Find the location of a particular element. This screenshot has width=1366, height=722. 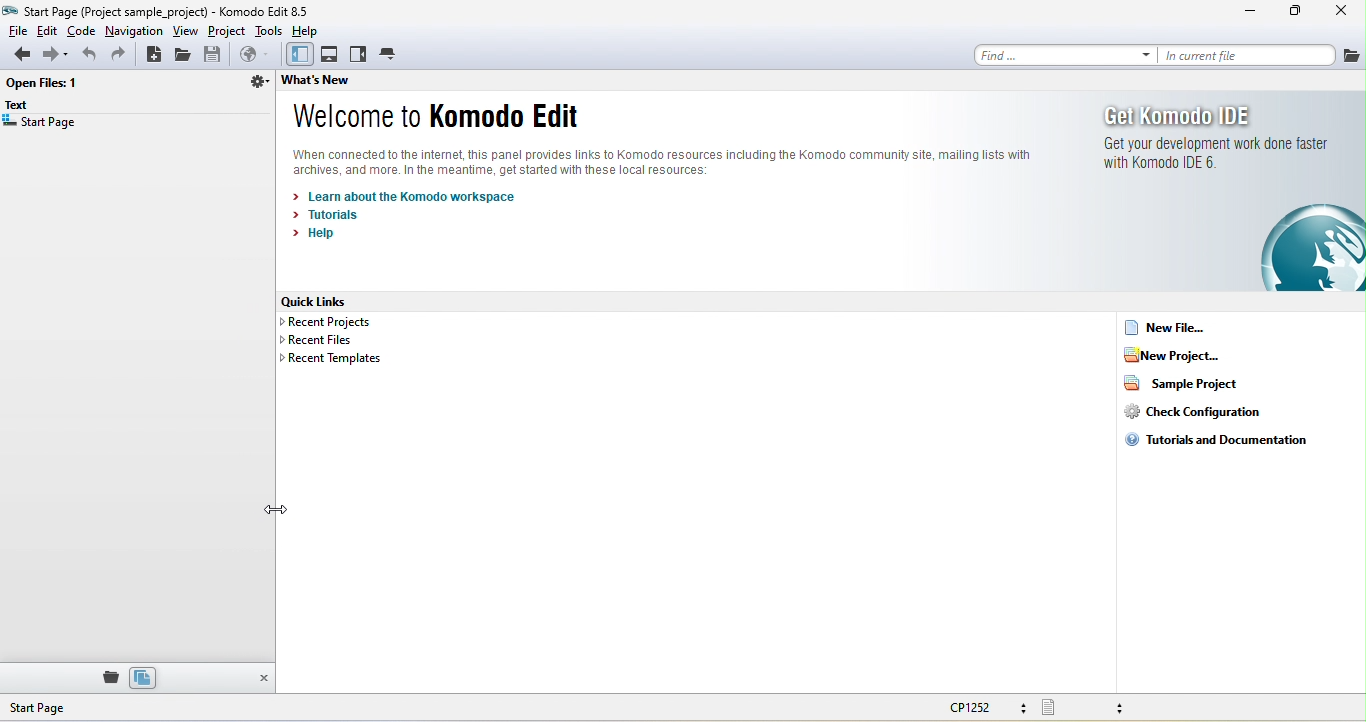

file is located at coordinates (16, 30).